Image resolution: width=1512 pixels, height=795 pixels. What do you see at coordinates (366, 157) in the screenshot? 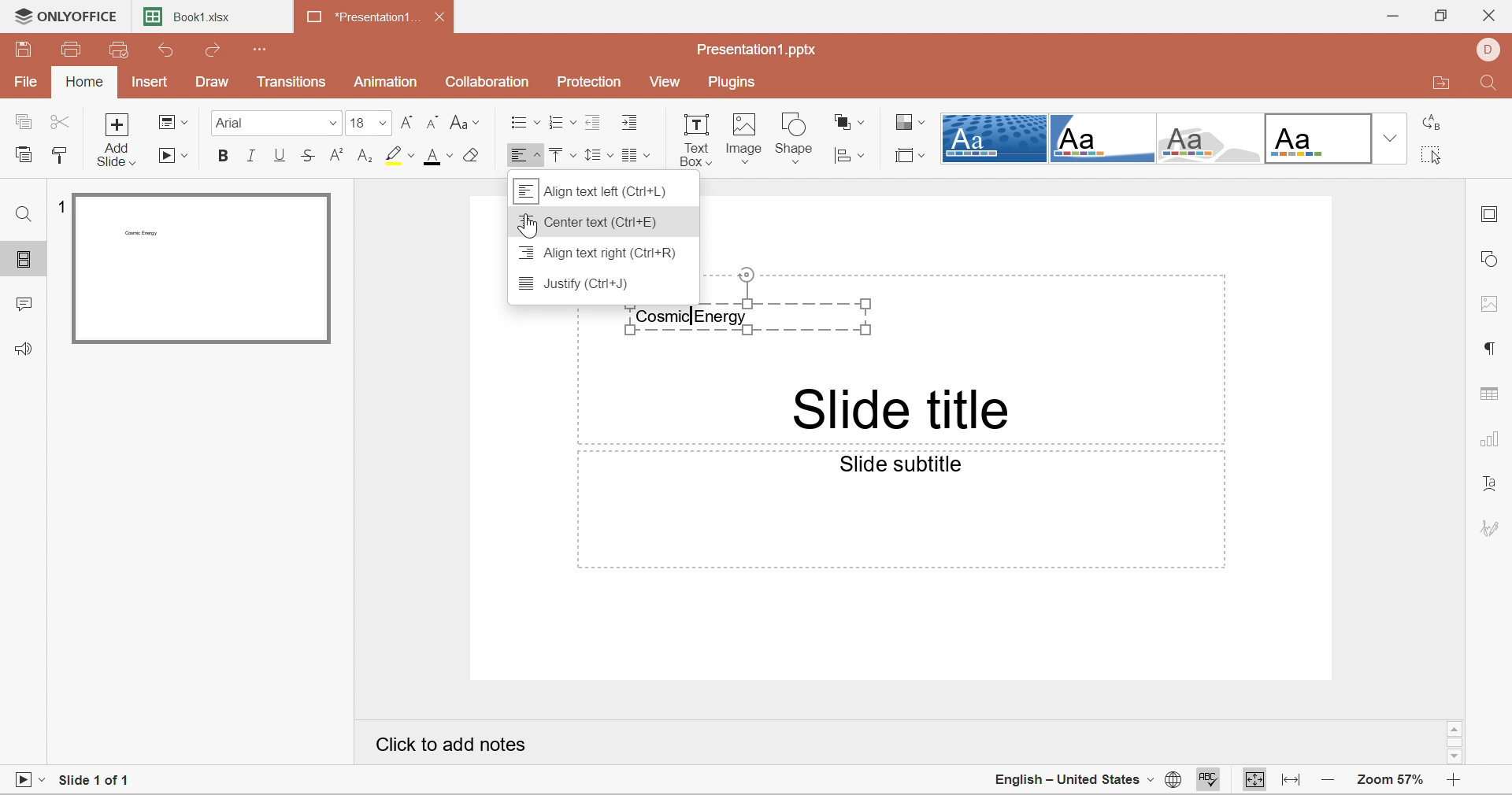
I see `Subscript` at bounding box center [366, 157].